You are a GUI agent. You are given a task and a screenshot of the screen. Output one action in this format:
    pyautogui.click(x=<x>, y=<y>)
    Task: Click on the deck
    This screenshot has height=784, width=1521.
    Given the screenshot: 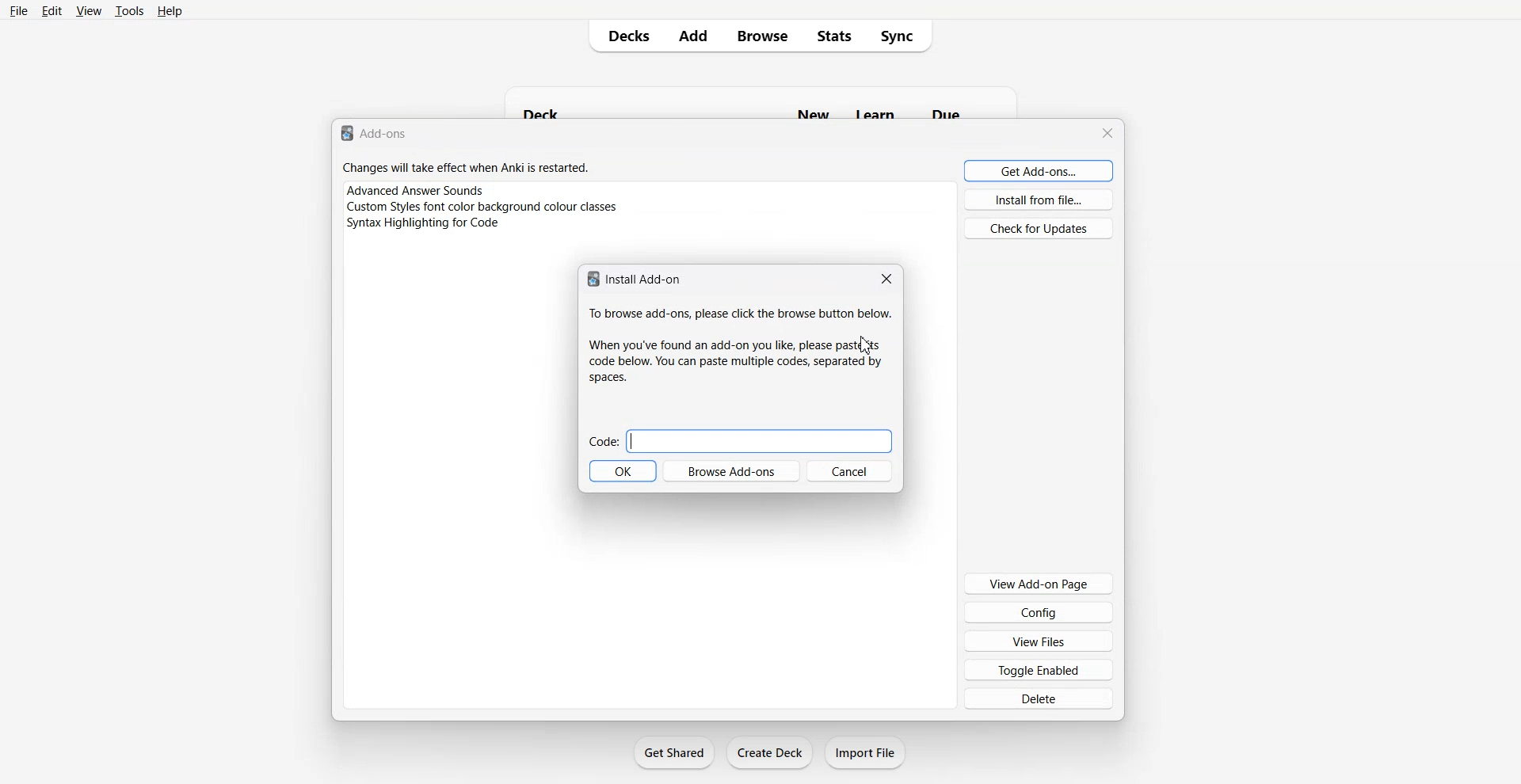 What is the action you would take?
    pyautogui.click(x=546, y=111)
    